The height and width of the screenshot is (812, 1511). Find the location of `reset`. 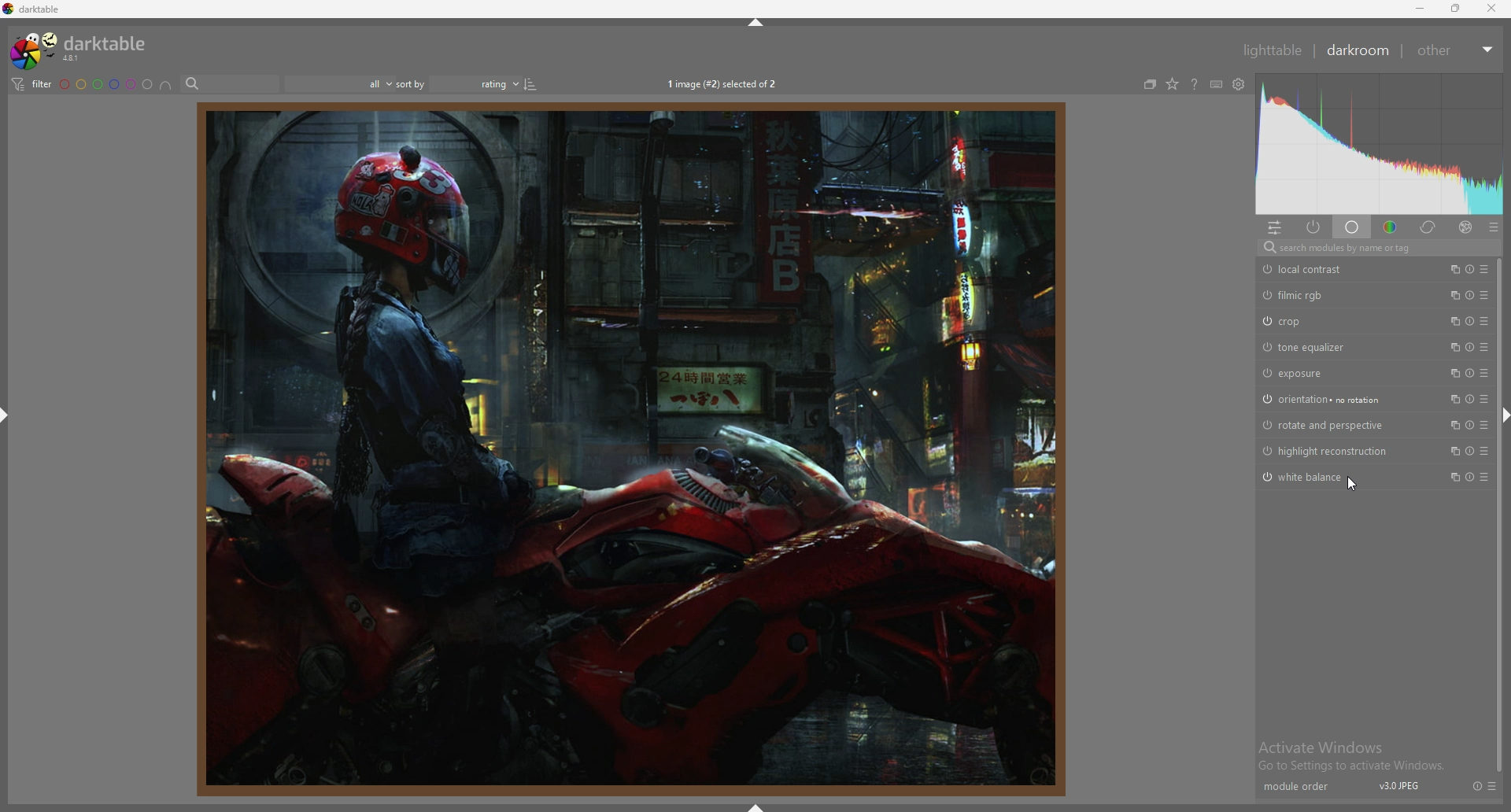

reset is located at coordinates (1469, 269).